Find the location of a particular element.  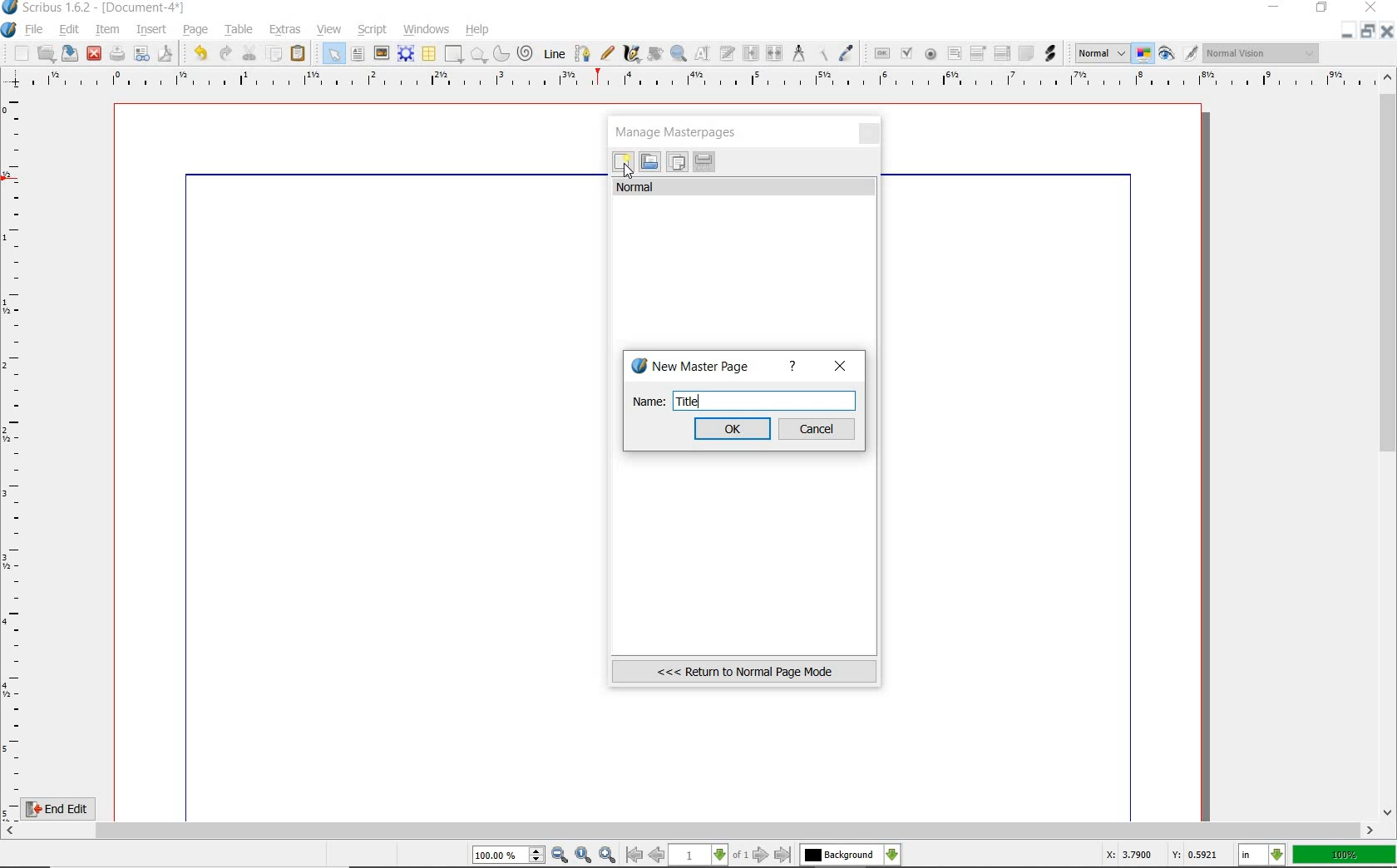

100% is located at coordinates (1345, 855).